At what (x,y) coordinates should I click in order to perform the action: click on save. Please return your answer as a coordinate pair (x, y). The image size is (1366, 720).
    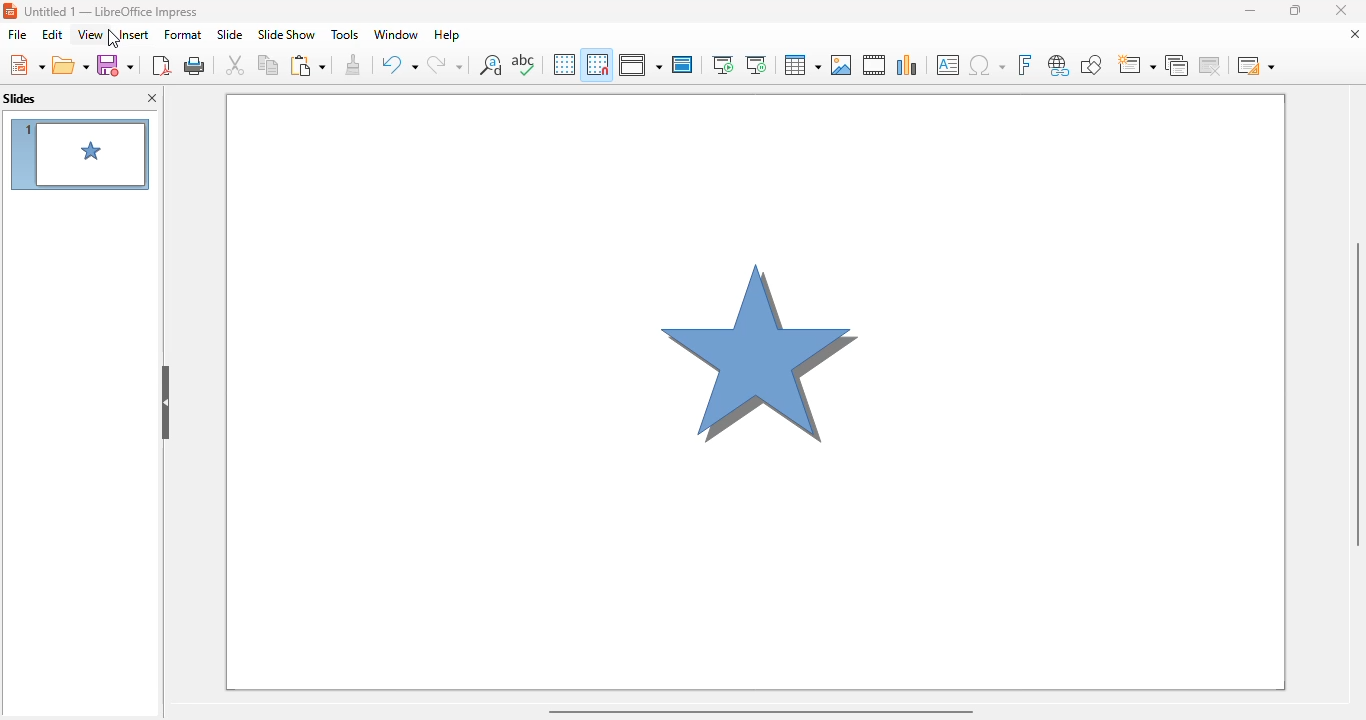
    Looking at the image, I should click on (115, 65).